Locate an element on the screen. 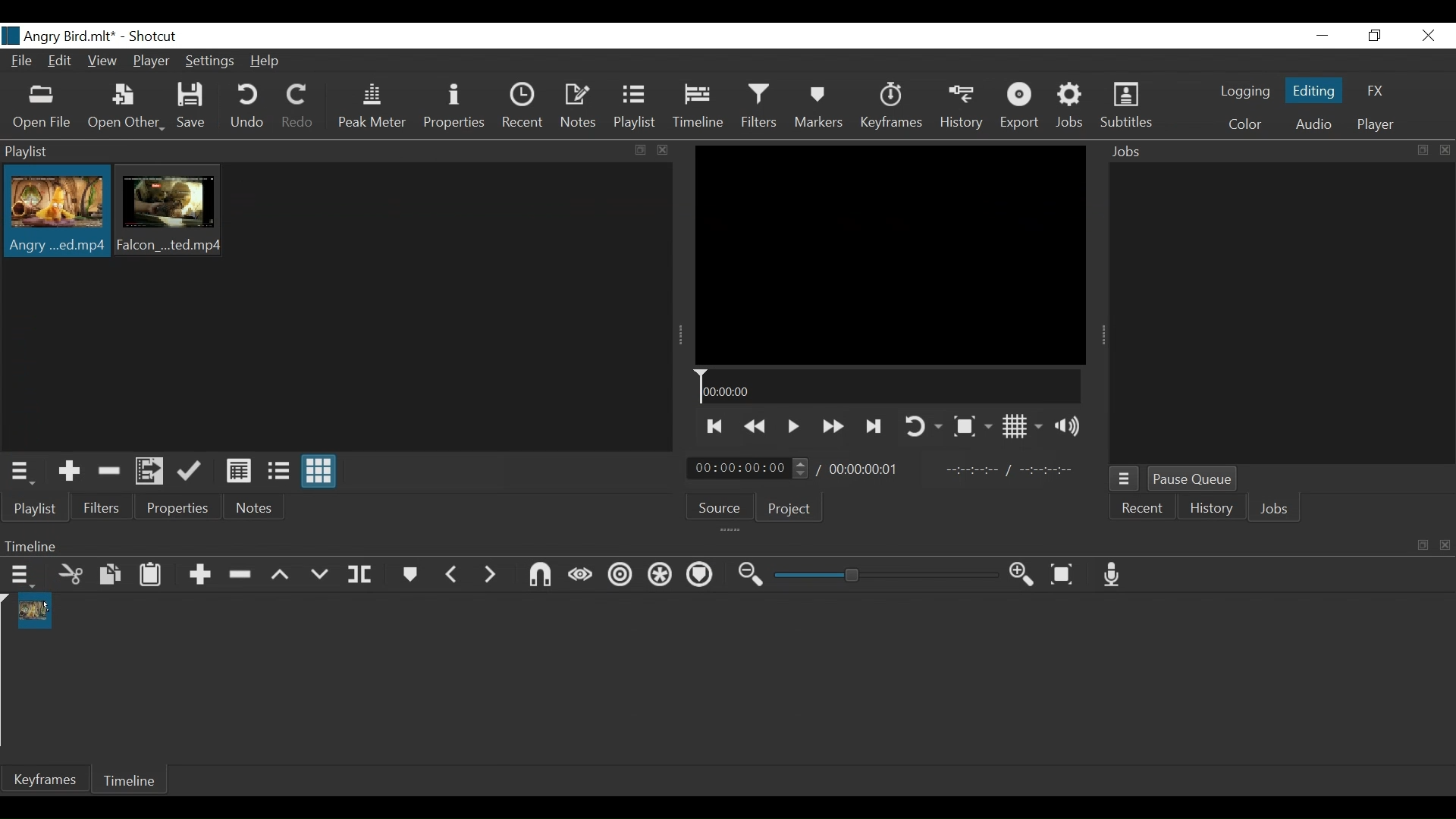 This screenshot has width=1456, height=819. Next Marker is located at coordinates (491, 575).